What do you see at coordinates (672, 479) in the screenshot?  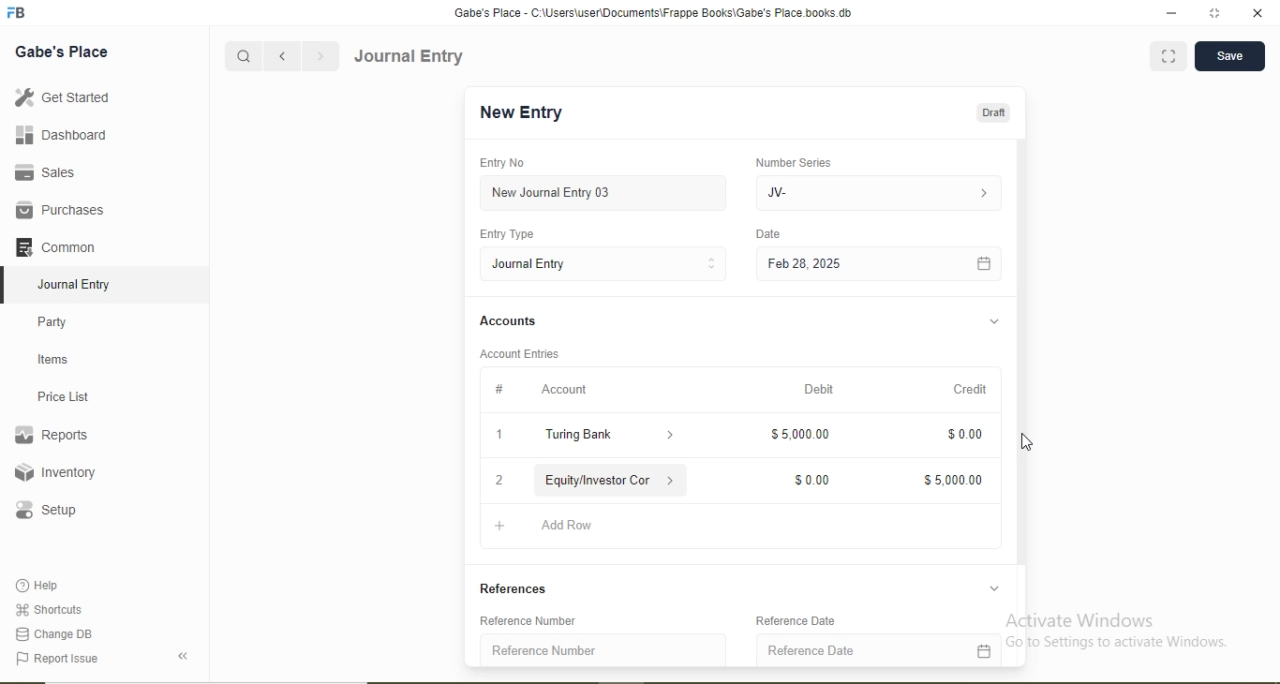 I see `Dropdown` at bounding box center [672, 479].